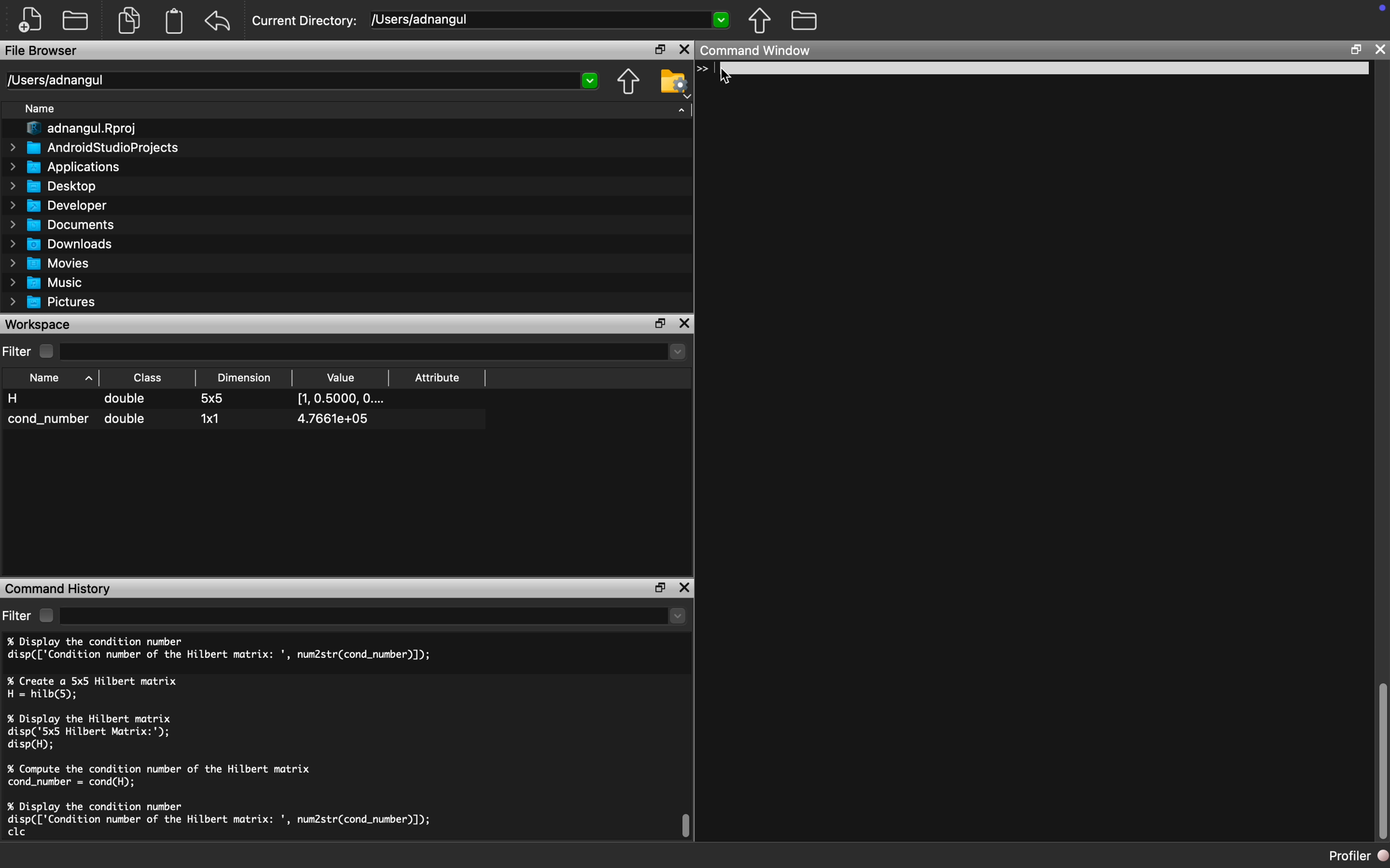 The height and width of the screenshot is (868, 1390). What do you see at coordinates (303, 80) in the screenshot?
I see `/Users/adnangul ` at bounding box center [303, 80].